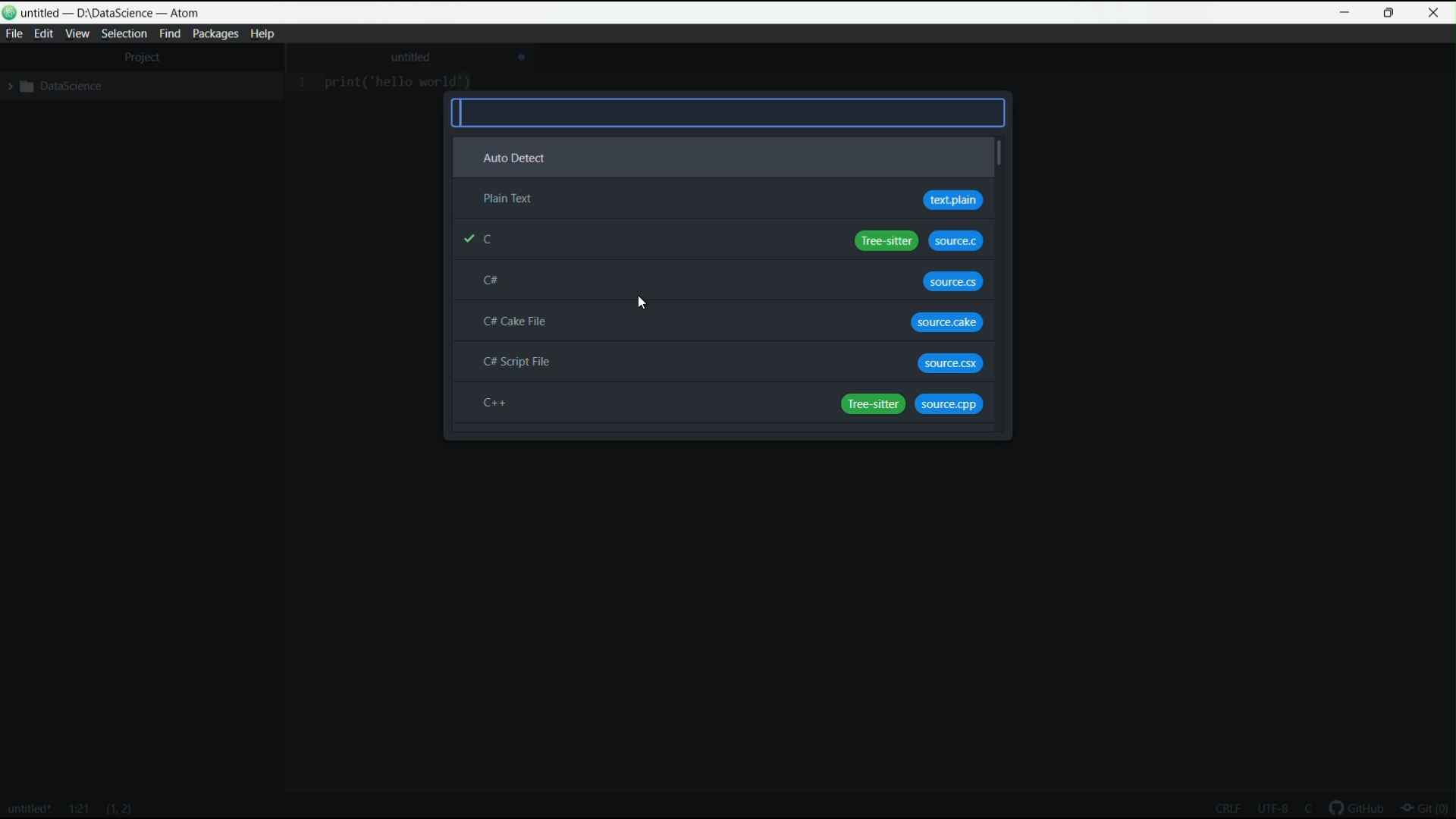 The image size is (1456, 819). I want to click on git, so click(1429, 810).